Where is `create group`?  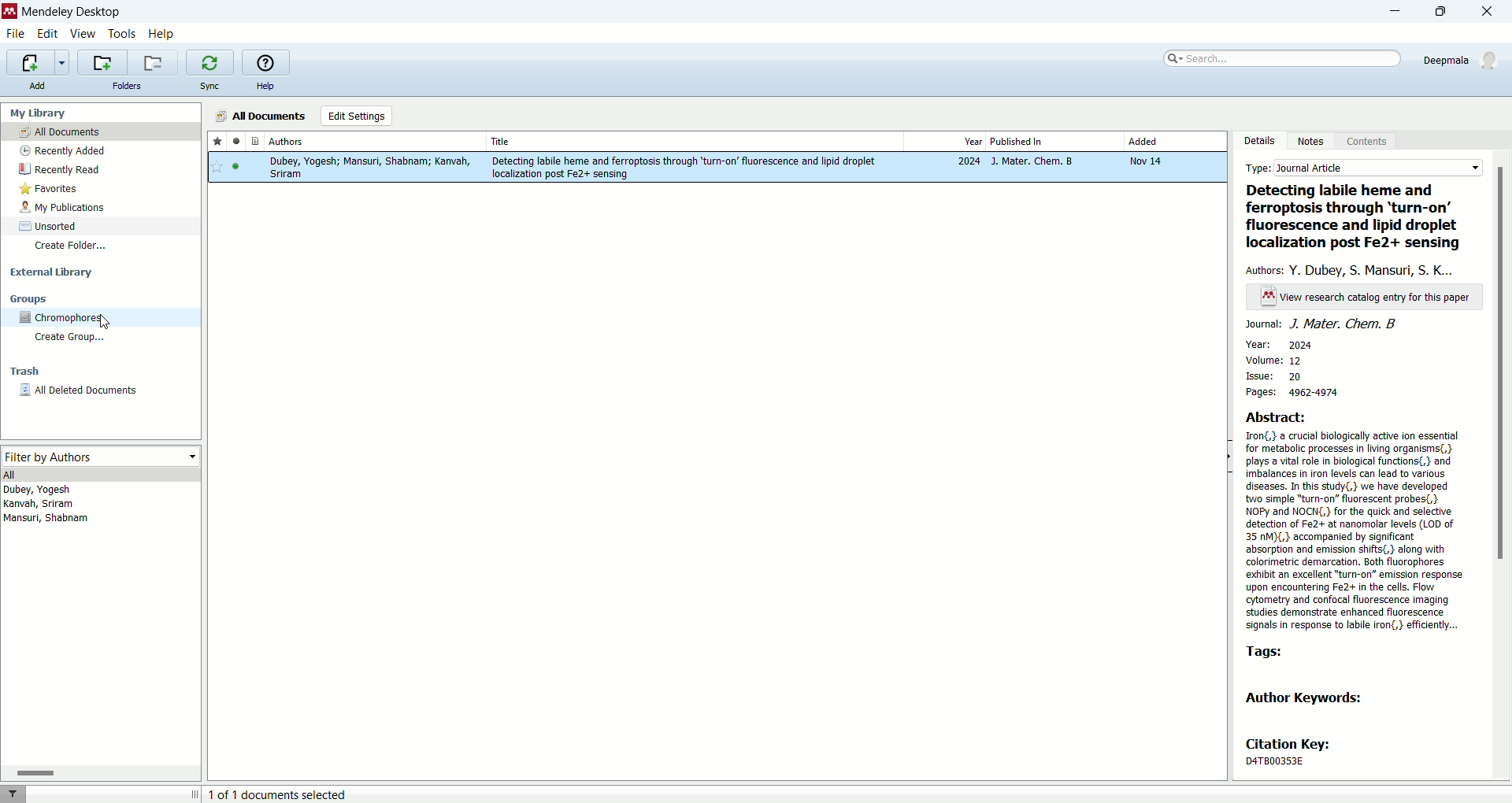 create group is located at coordinates (73, 339).